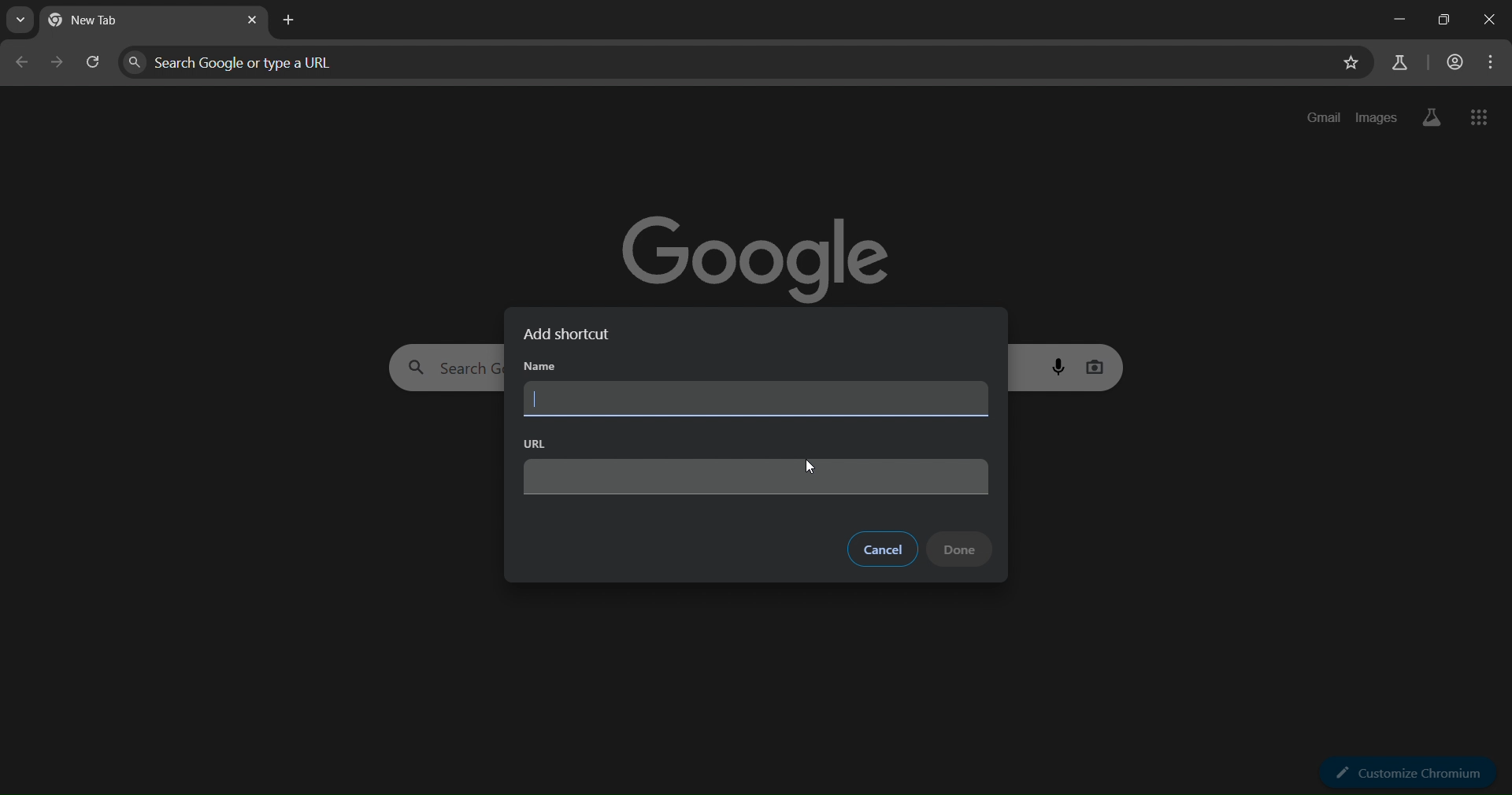  What do you see at coordinates (810, 468) in the screenshot?
I see `cursor` at bounding box center [810, 468].